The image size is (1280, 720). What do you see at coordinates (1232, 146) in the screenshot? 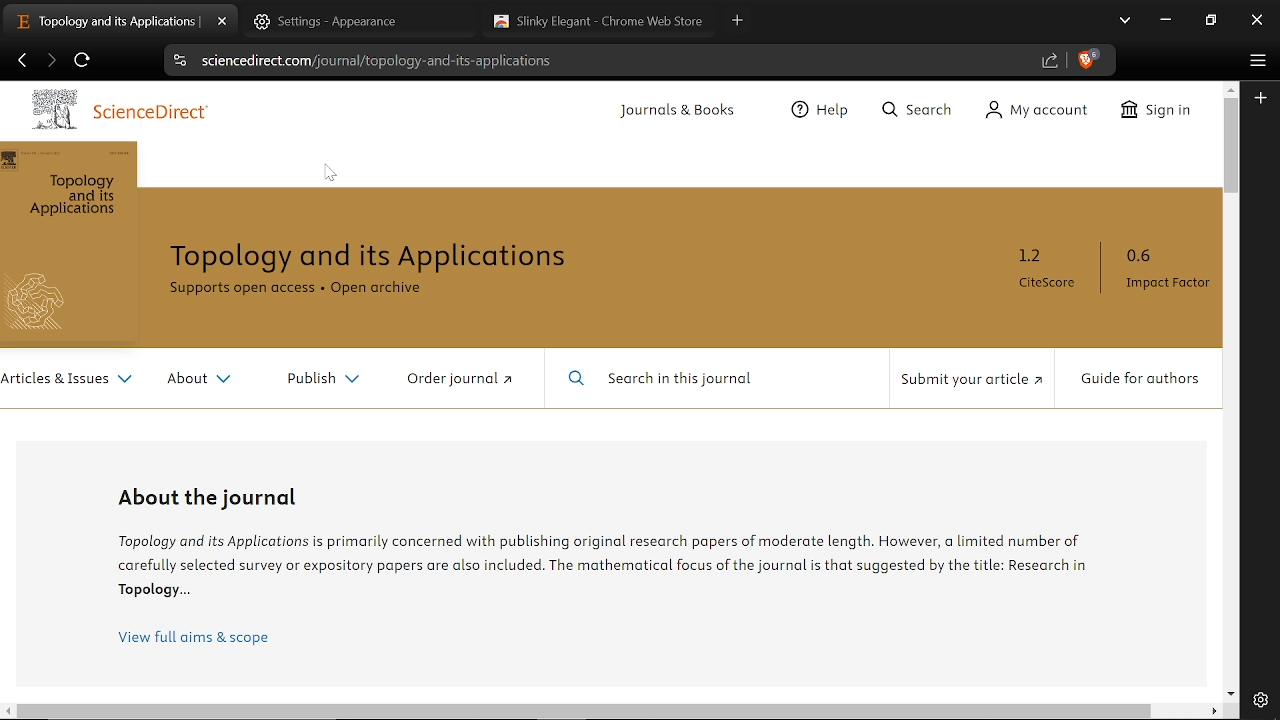
I see `Vertical scrollbar` at bounding box center [1232, 146].